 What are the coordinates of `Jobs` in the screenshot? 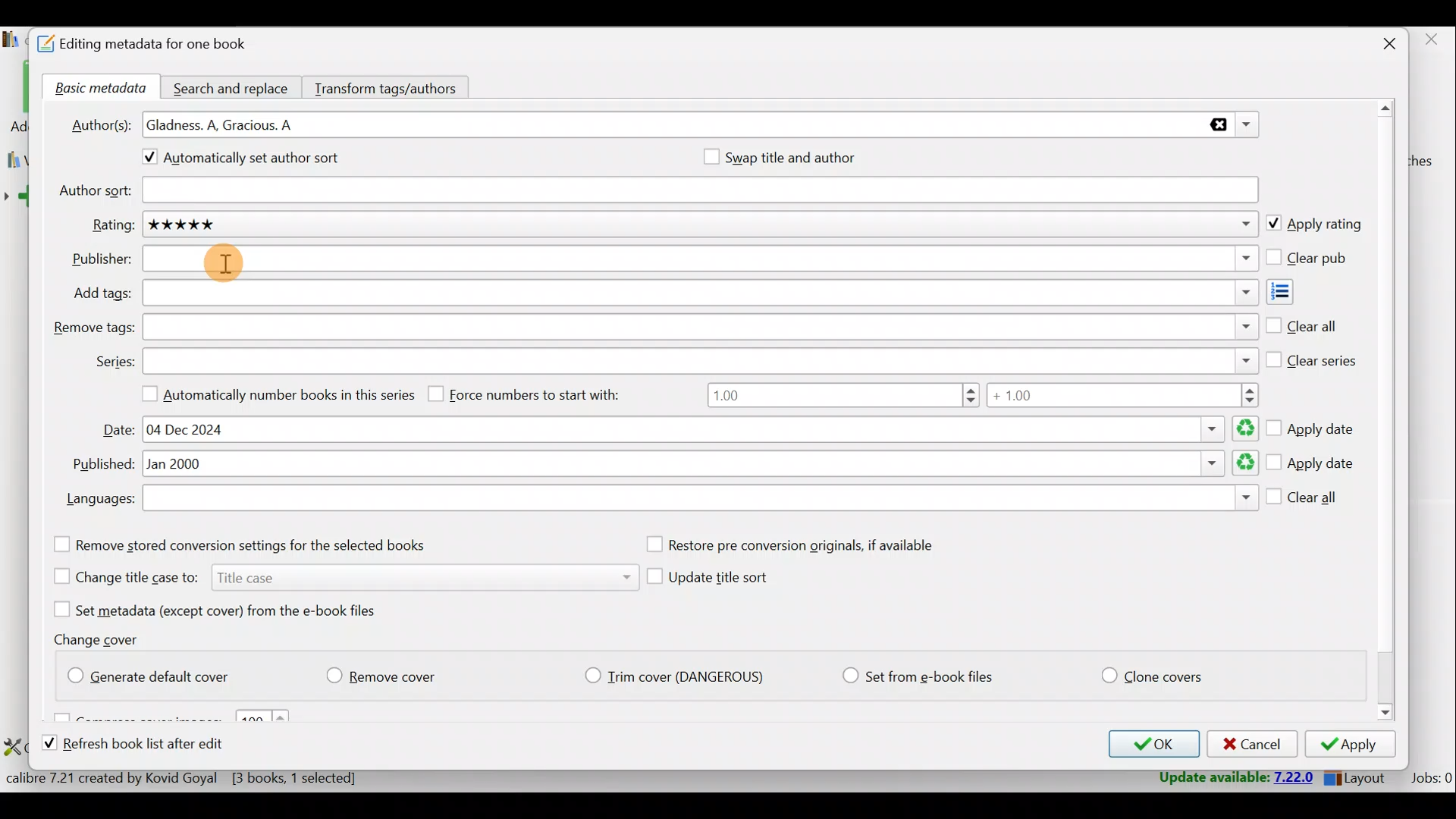 It's located at (1430, 777).